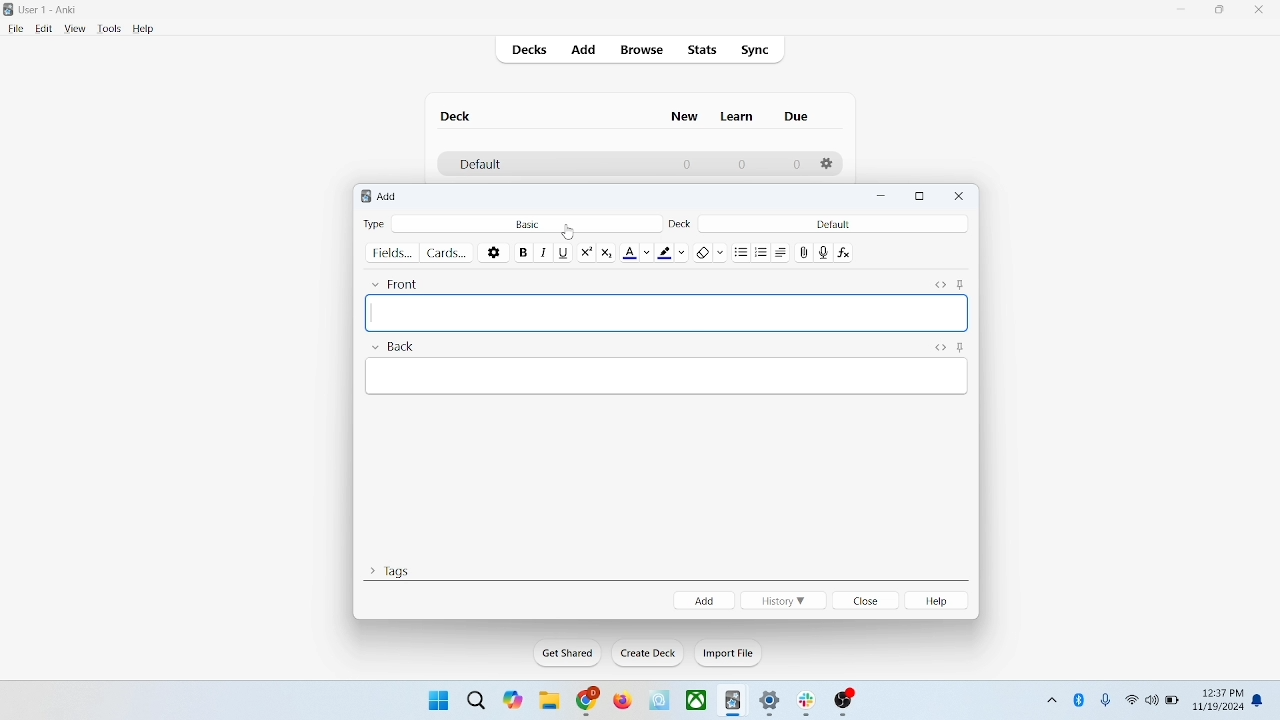 This screenshot has height=720, width=1280. Describe the element at coordinates (960, 196) in the screenshot. I see `close` at that location.